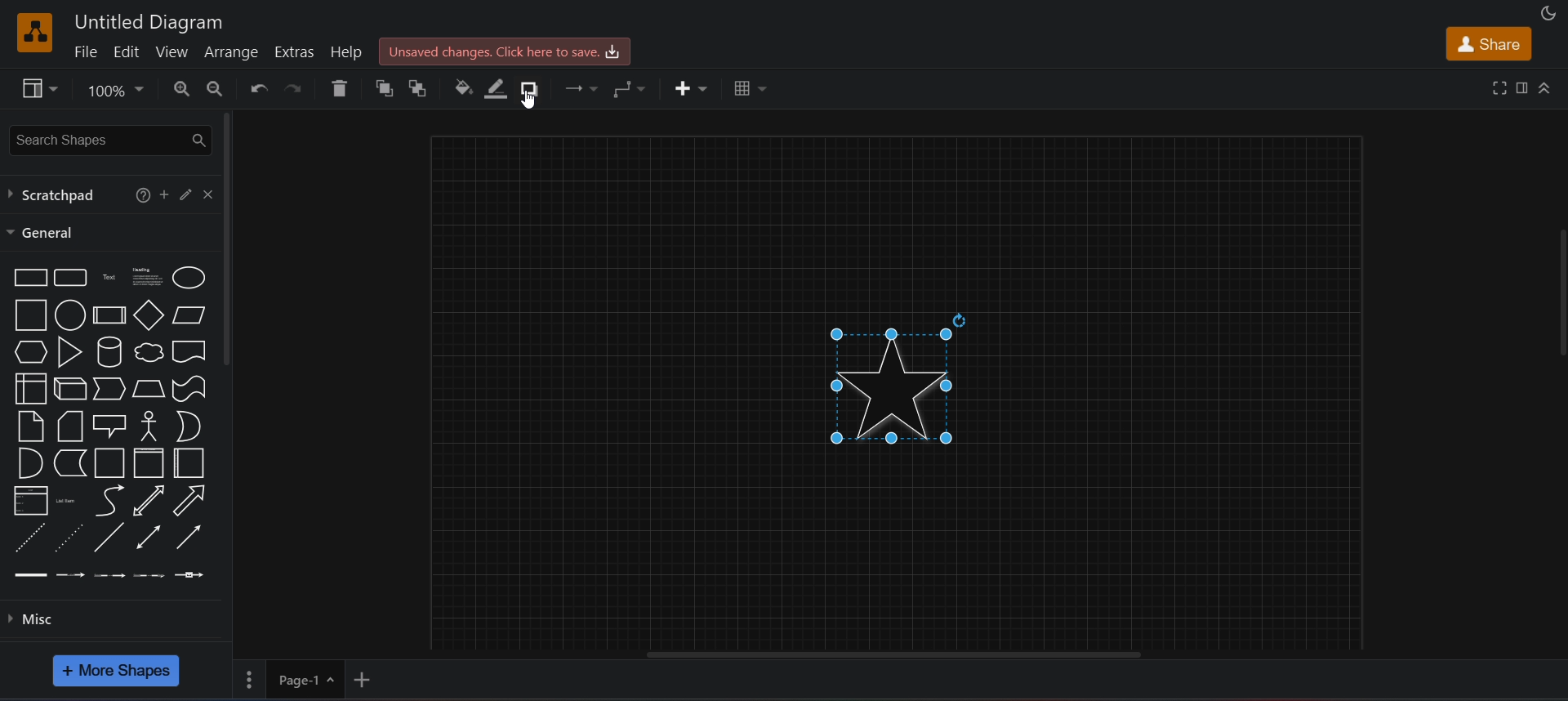 Image resolution: width=1568 pixels, height=701 pixels. I want to click on collapse/expand, so click(1548, 87).